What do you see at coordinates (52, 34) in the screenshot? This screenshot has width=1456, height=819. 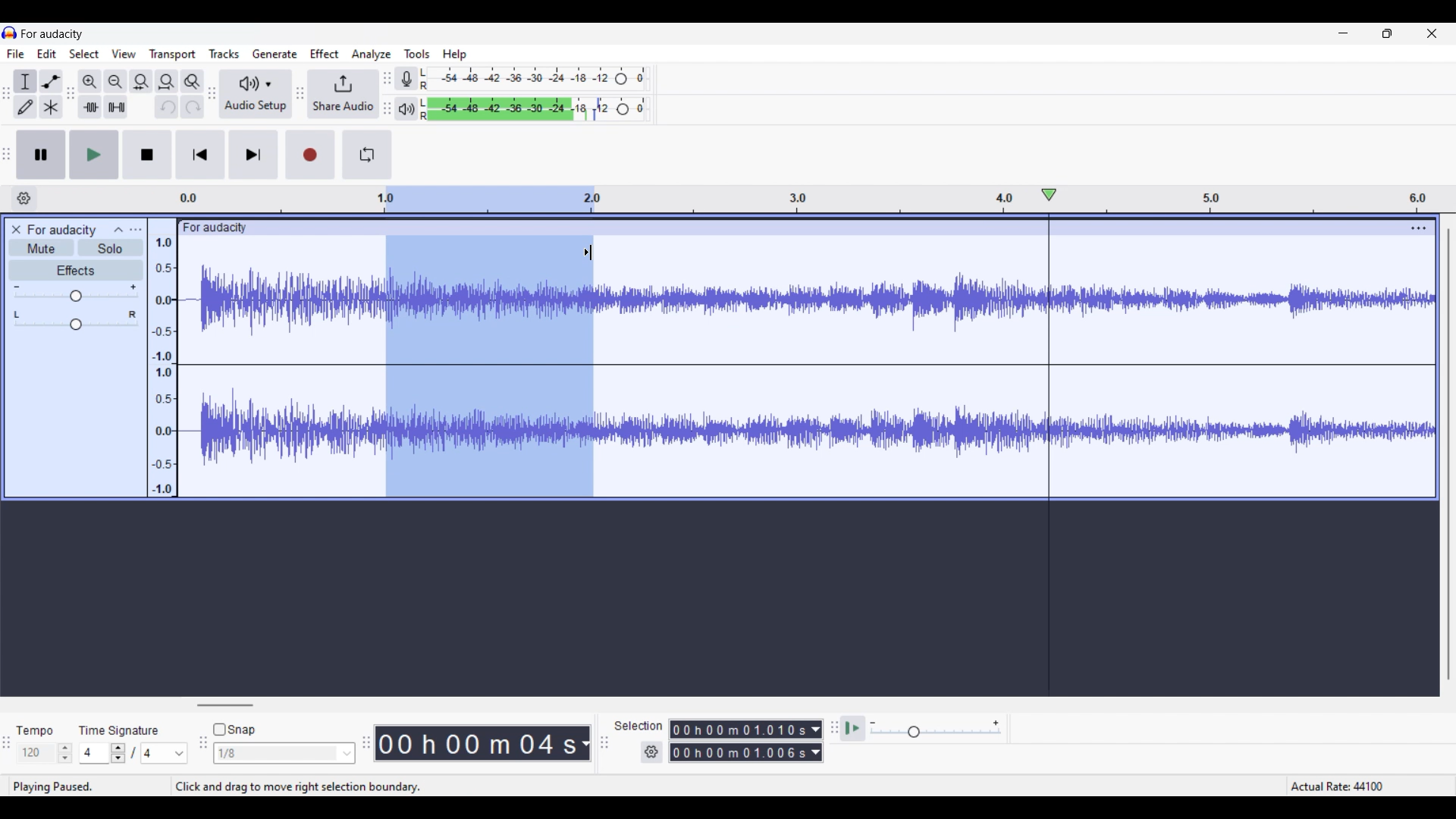 I see `for audacity` at bounding box center [52, 34].